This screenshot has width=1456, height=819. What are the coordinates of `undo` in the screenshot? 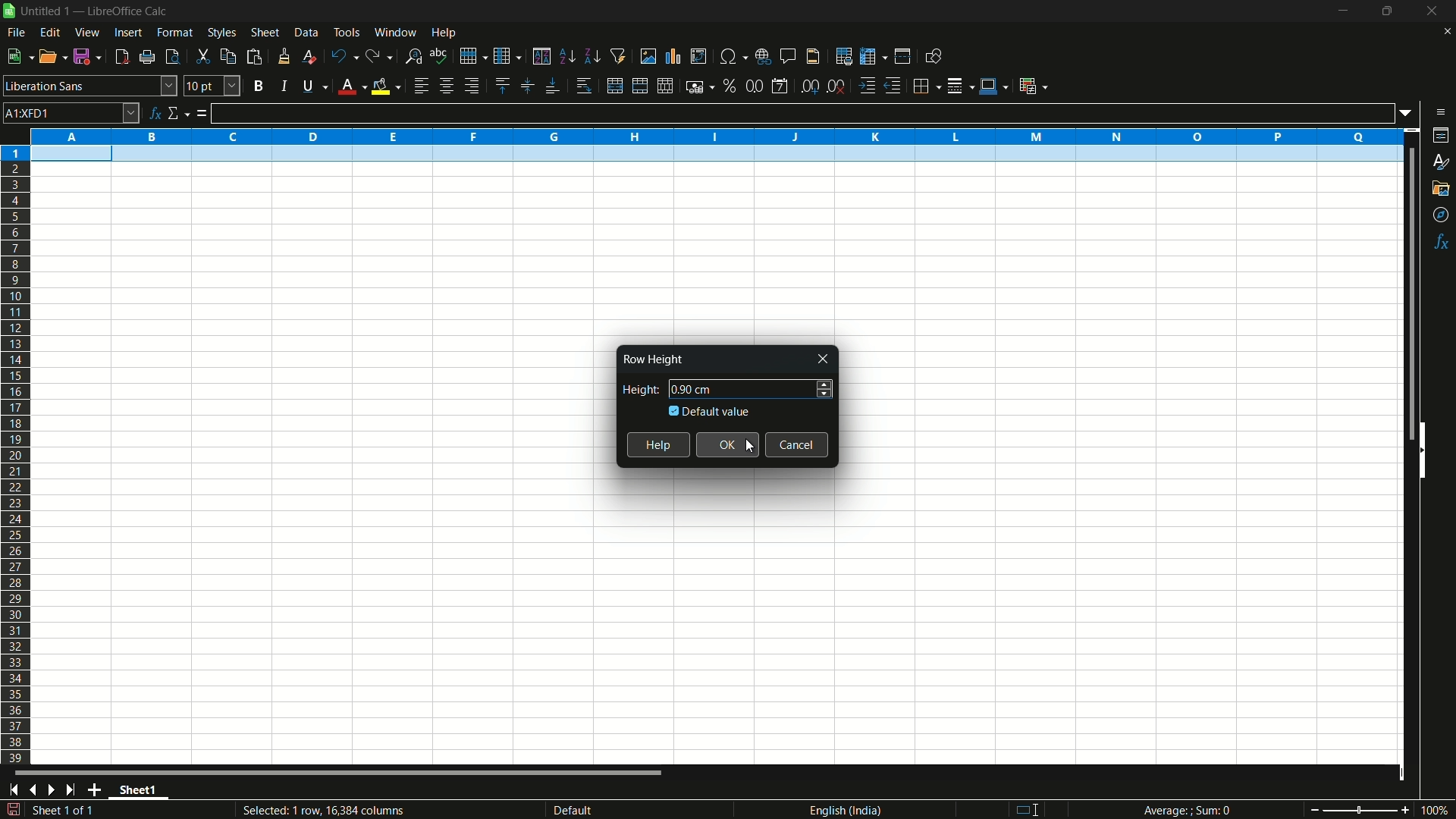 It's located at (341, 55).